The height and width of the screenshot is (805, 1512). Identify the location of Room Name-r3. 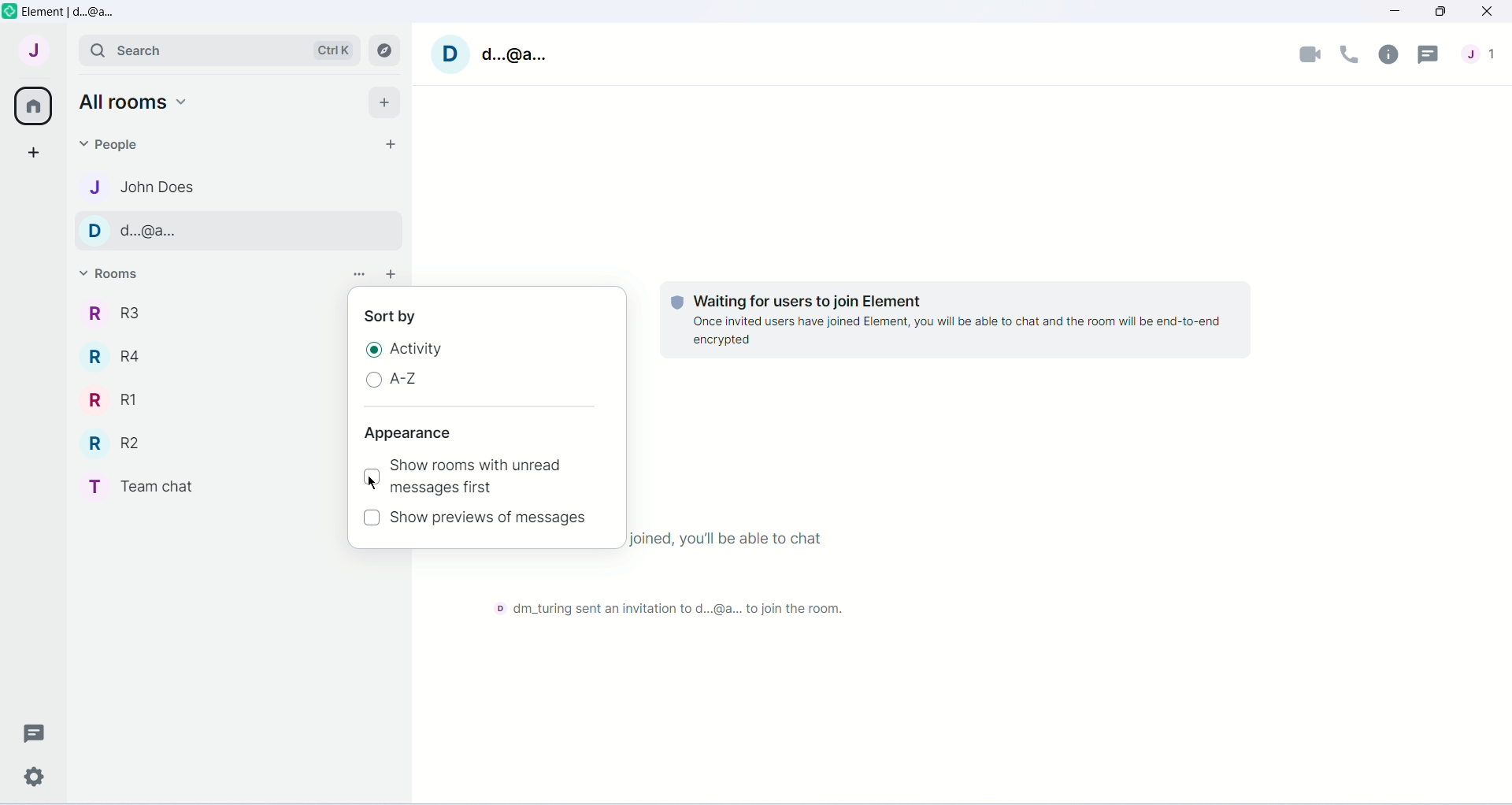
(120, 314).